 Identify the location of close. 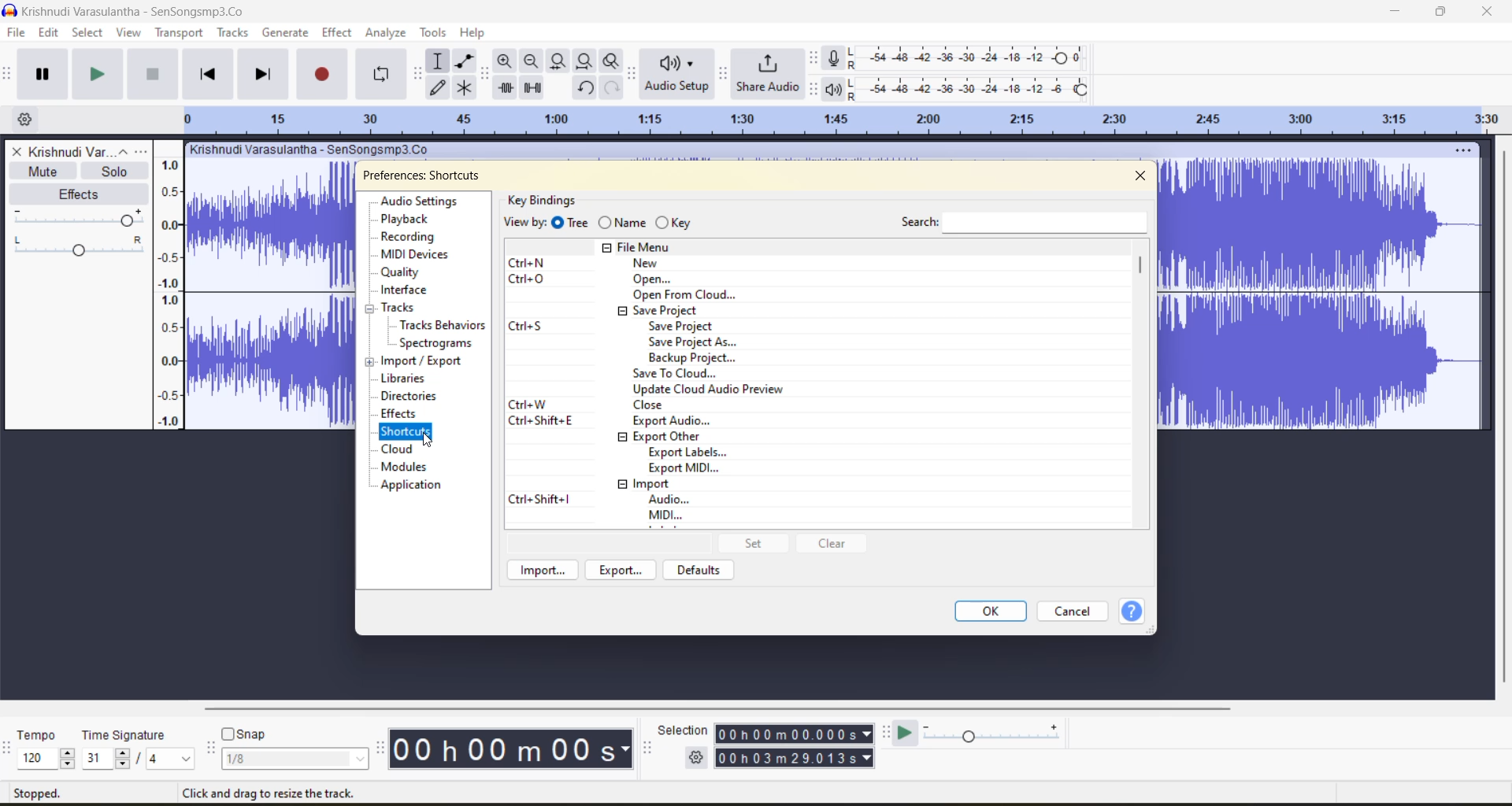
(1488, 12).